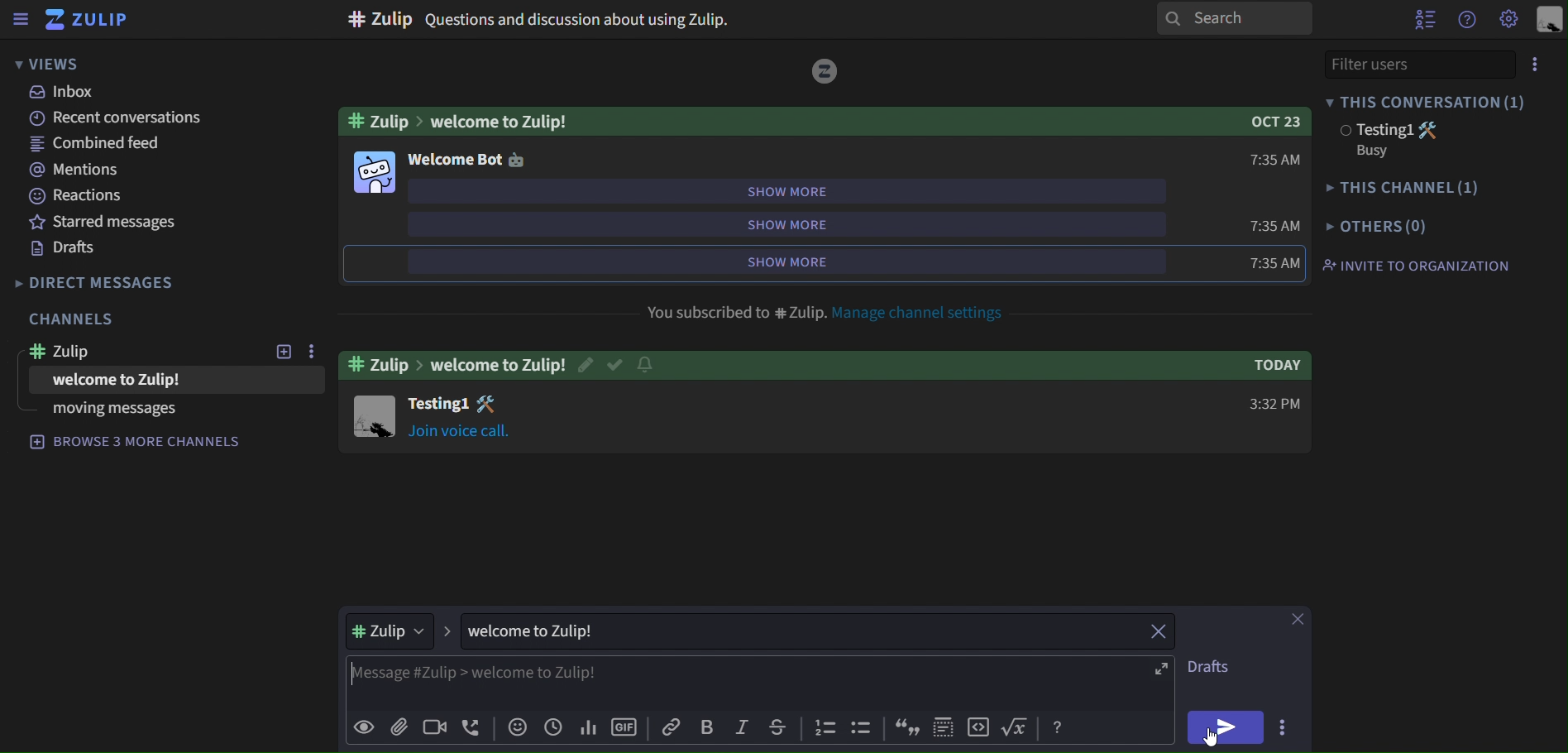 This screenshot has height=753, width=1568. I want to click on Testing1 , so click(466, 404).